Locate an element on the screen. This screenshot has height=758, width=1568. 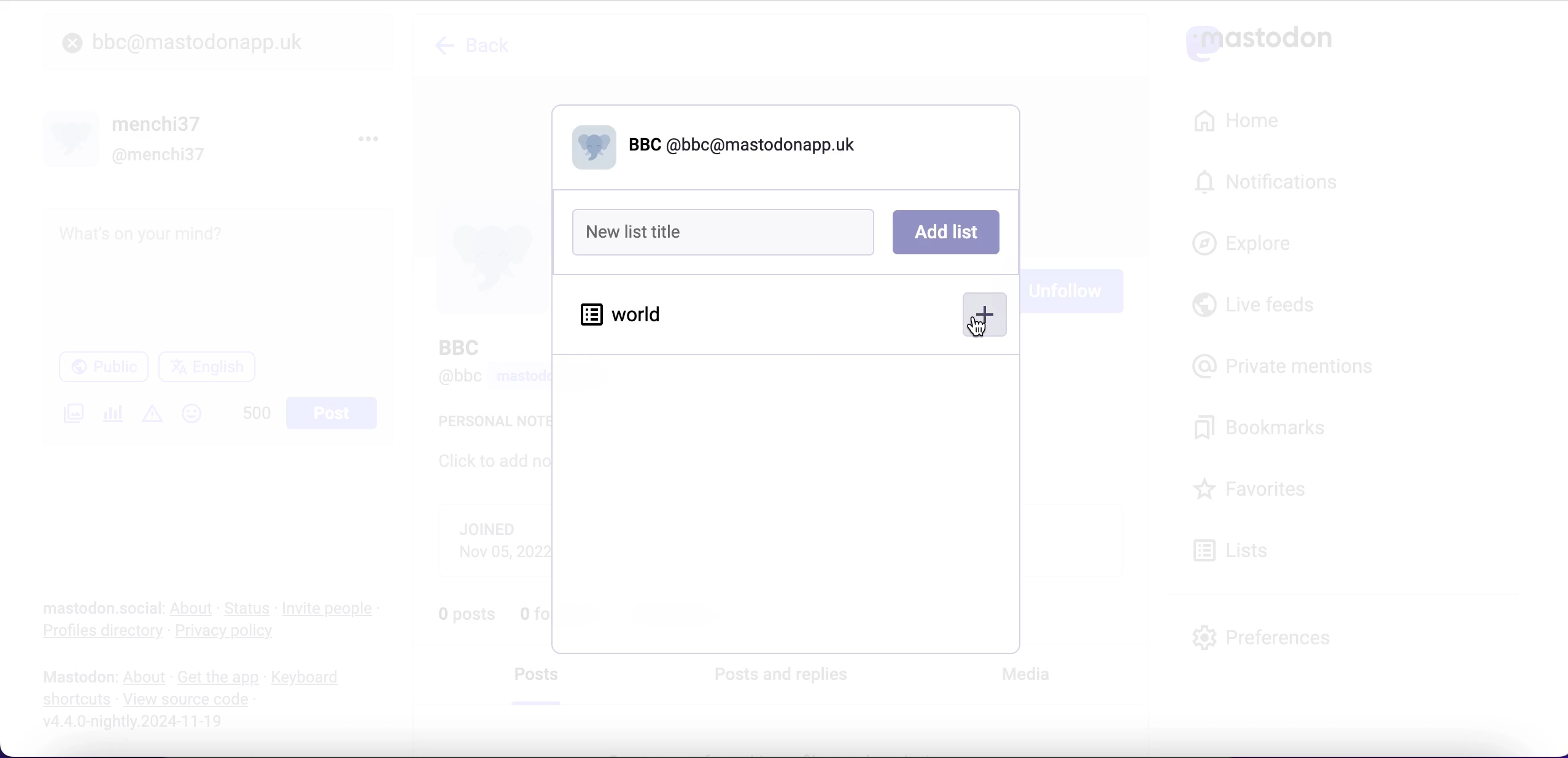
URL is located at coordinates (182, 744).